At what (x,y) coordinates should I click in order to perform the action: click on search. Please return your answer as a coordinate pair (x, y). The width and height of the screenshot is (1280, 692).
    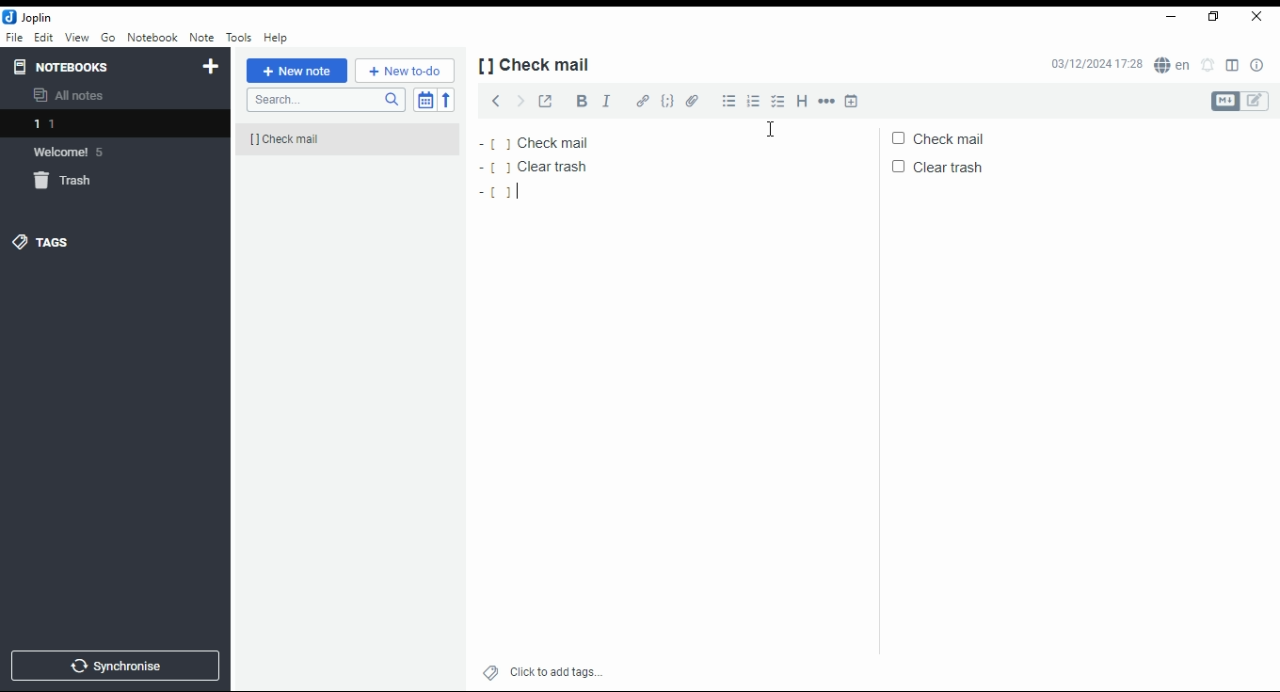
    Looking at the image, I should click on (324, 99).